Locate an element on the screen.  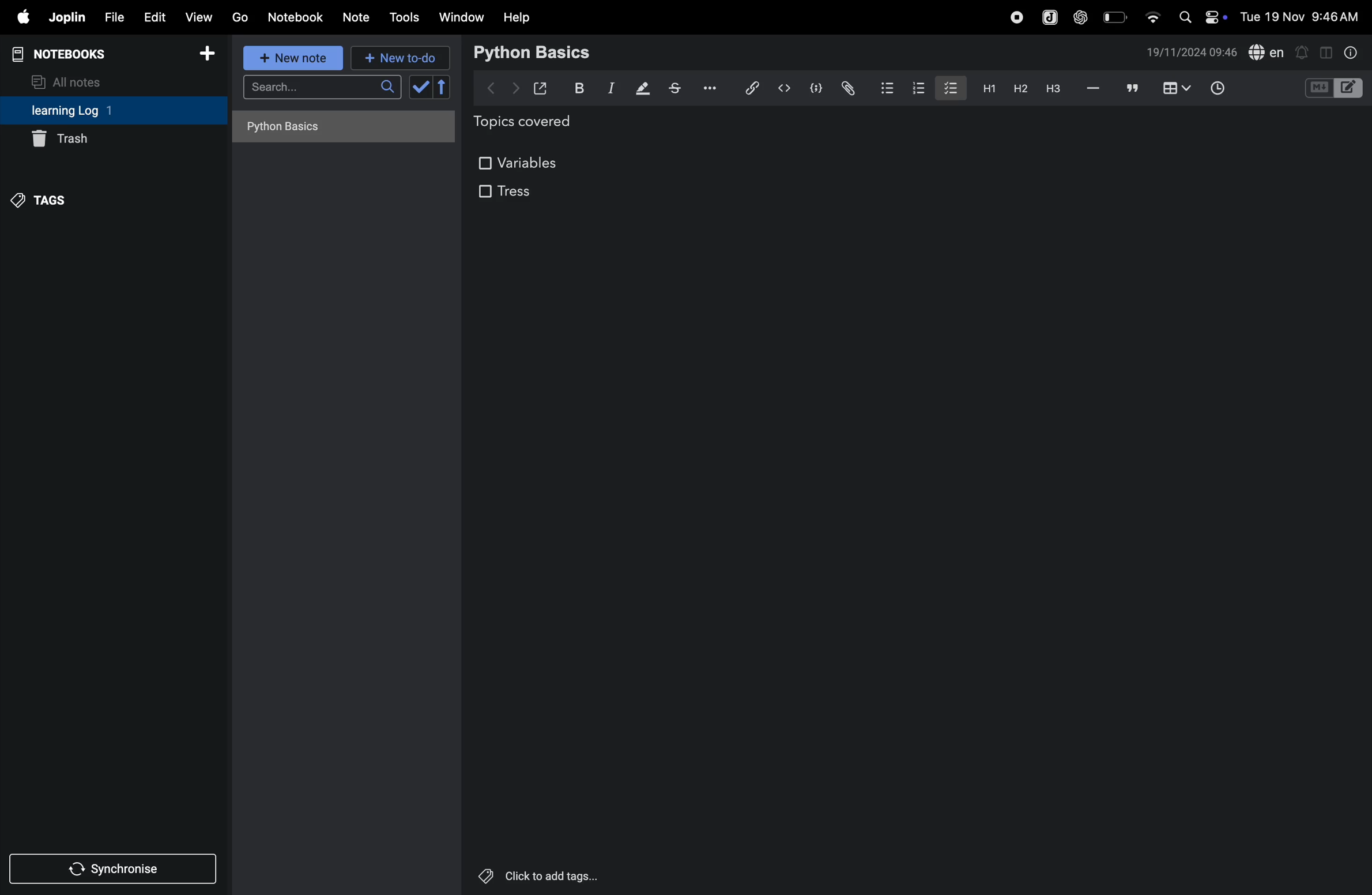
hifen is located at coordinates (1094, 89).